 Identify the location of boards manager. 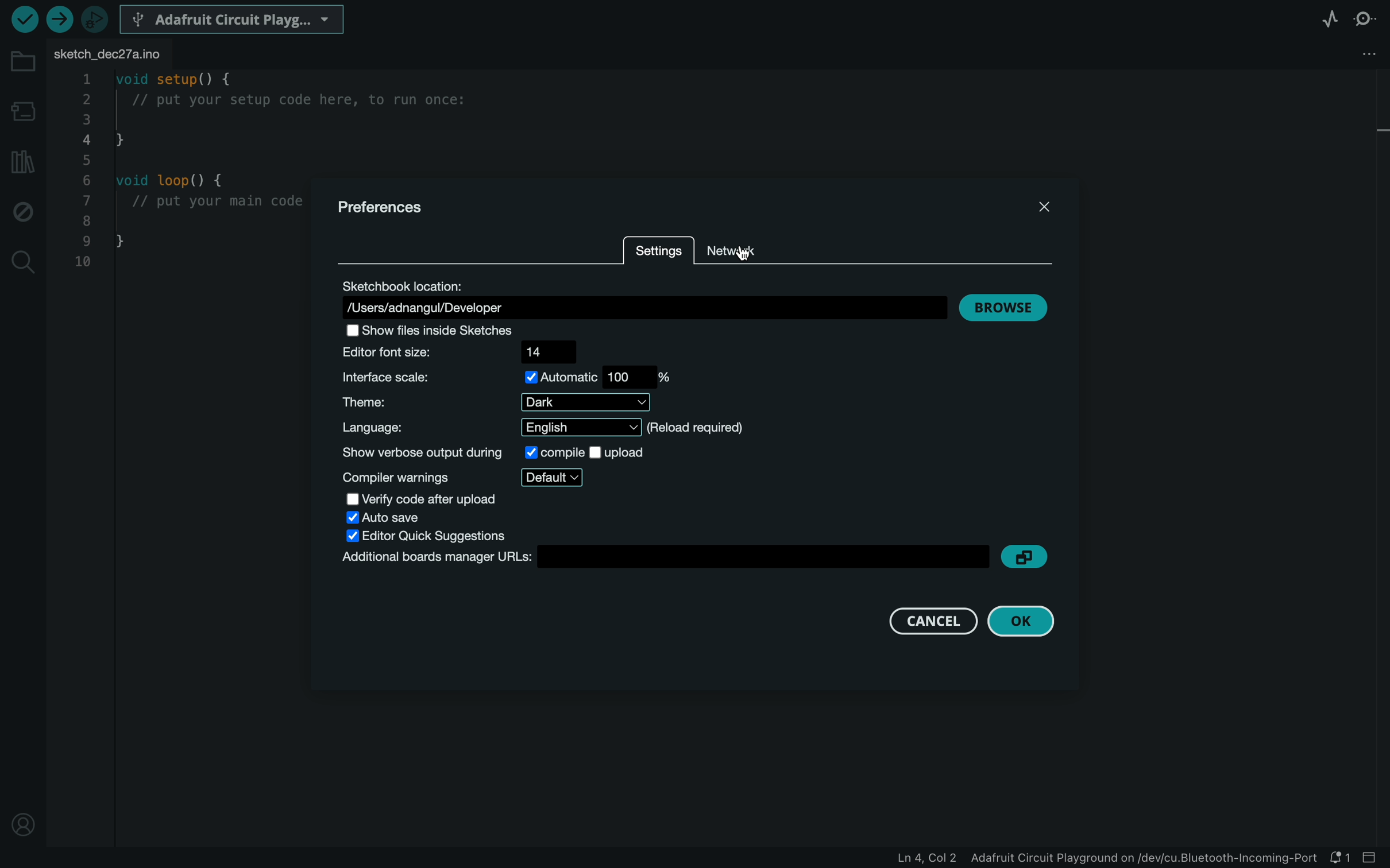
(666, 558).